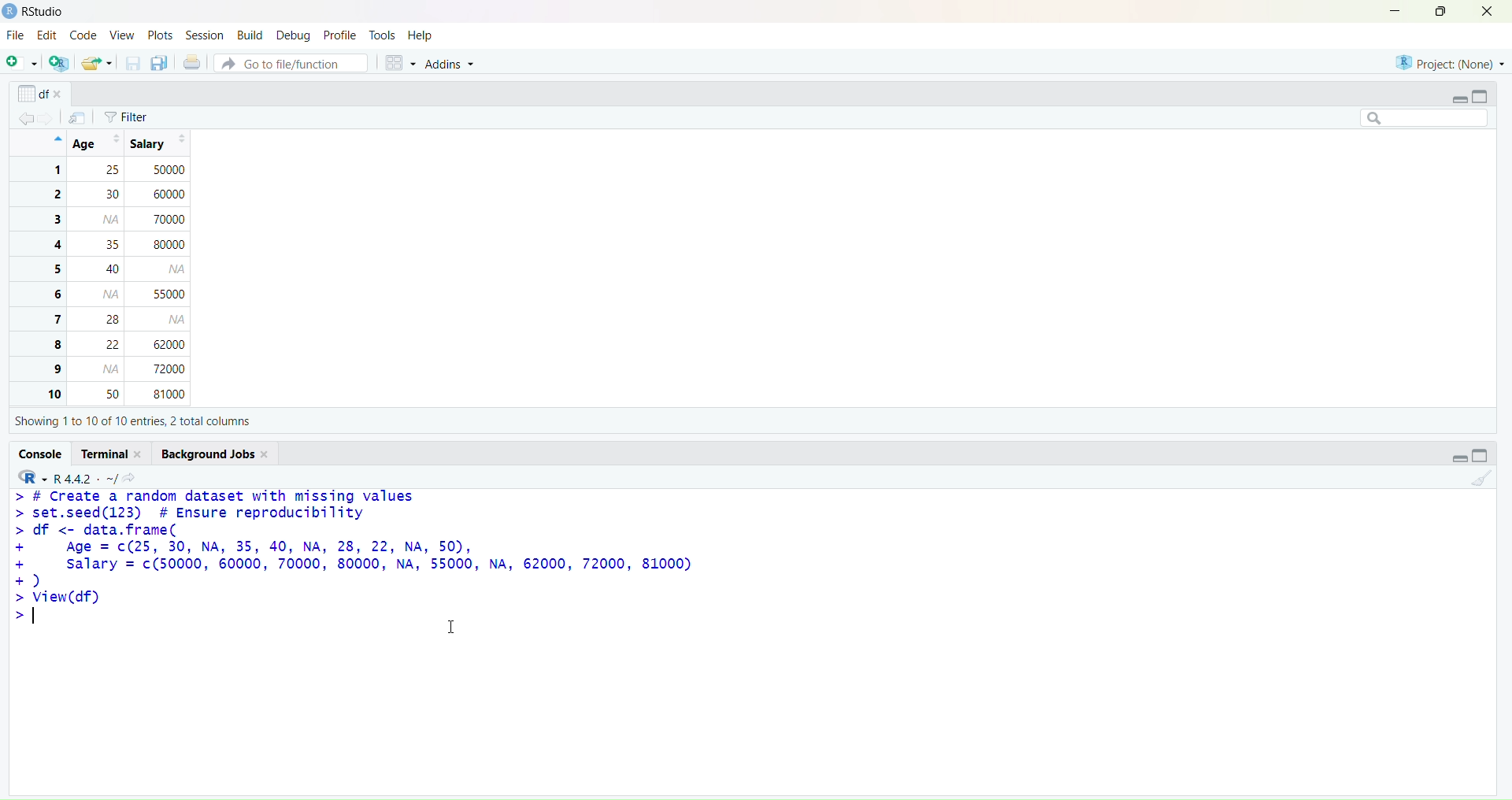  What do you see at coordinates (132, 476) in the screenshot?
I see `view the current working directory` at bounding box center [132, 476].